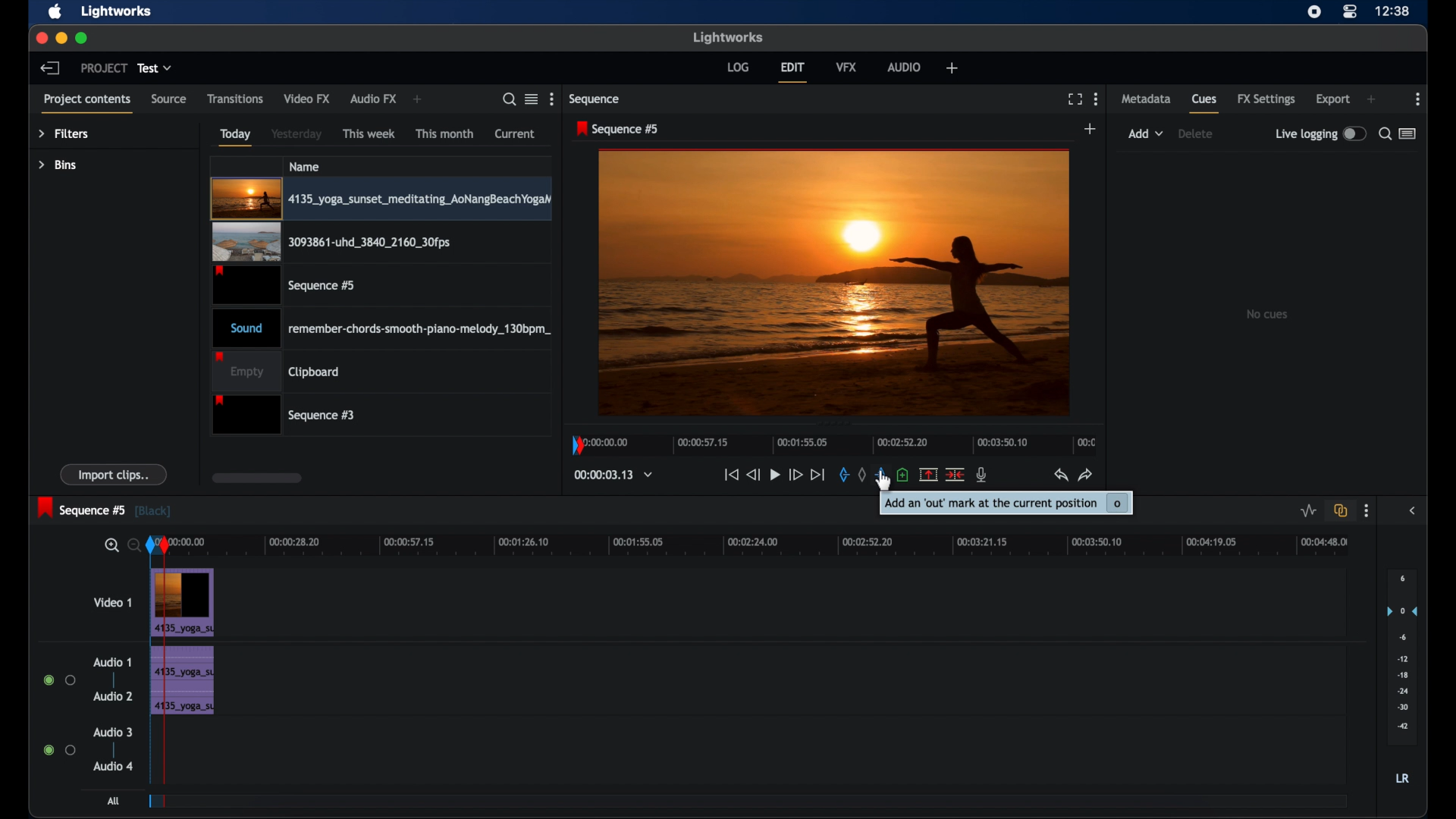 The width and height of the screenshot is (1456, 819). What do you see at coordinates (902, 66) in the screenshot?
I see `audio` at bounding box center [902, 66].